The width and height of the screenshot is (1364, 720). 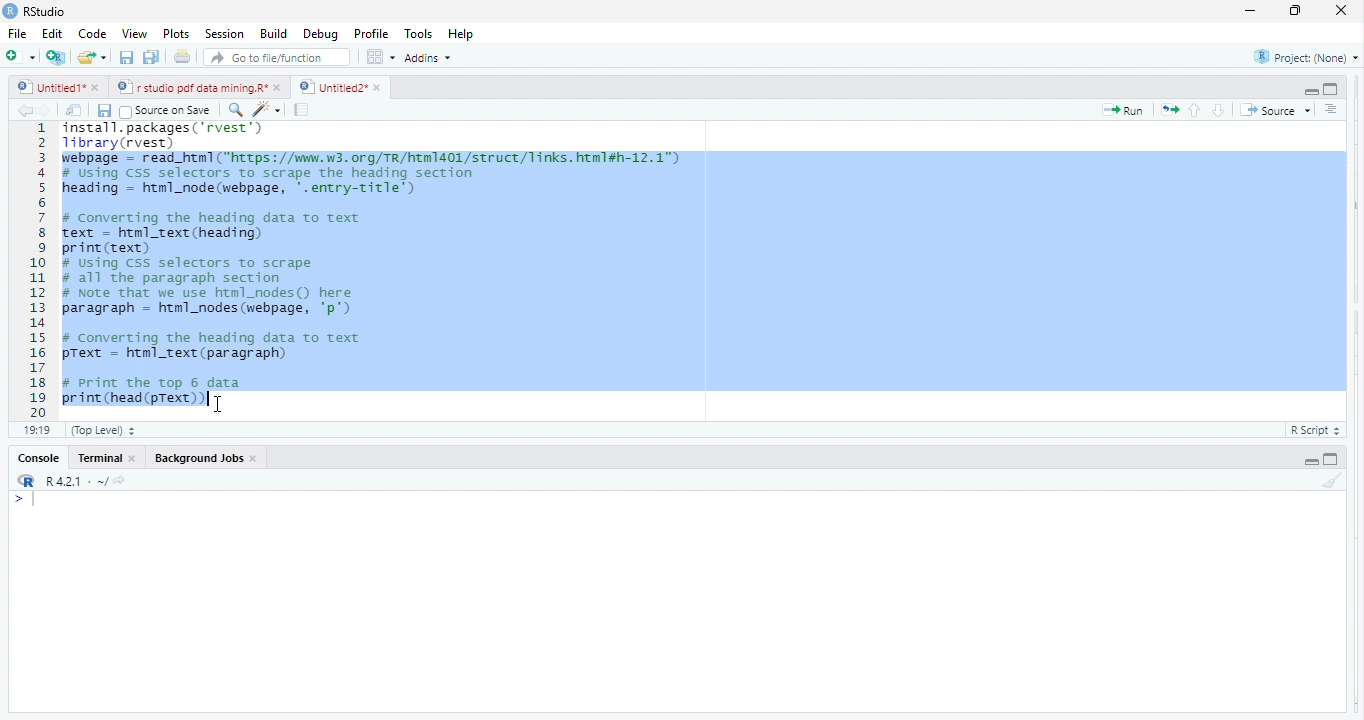 What do you see at coordinates (104, 430) in the screenshot?
I see `(top Level)` at bounding box center [104, 430].